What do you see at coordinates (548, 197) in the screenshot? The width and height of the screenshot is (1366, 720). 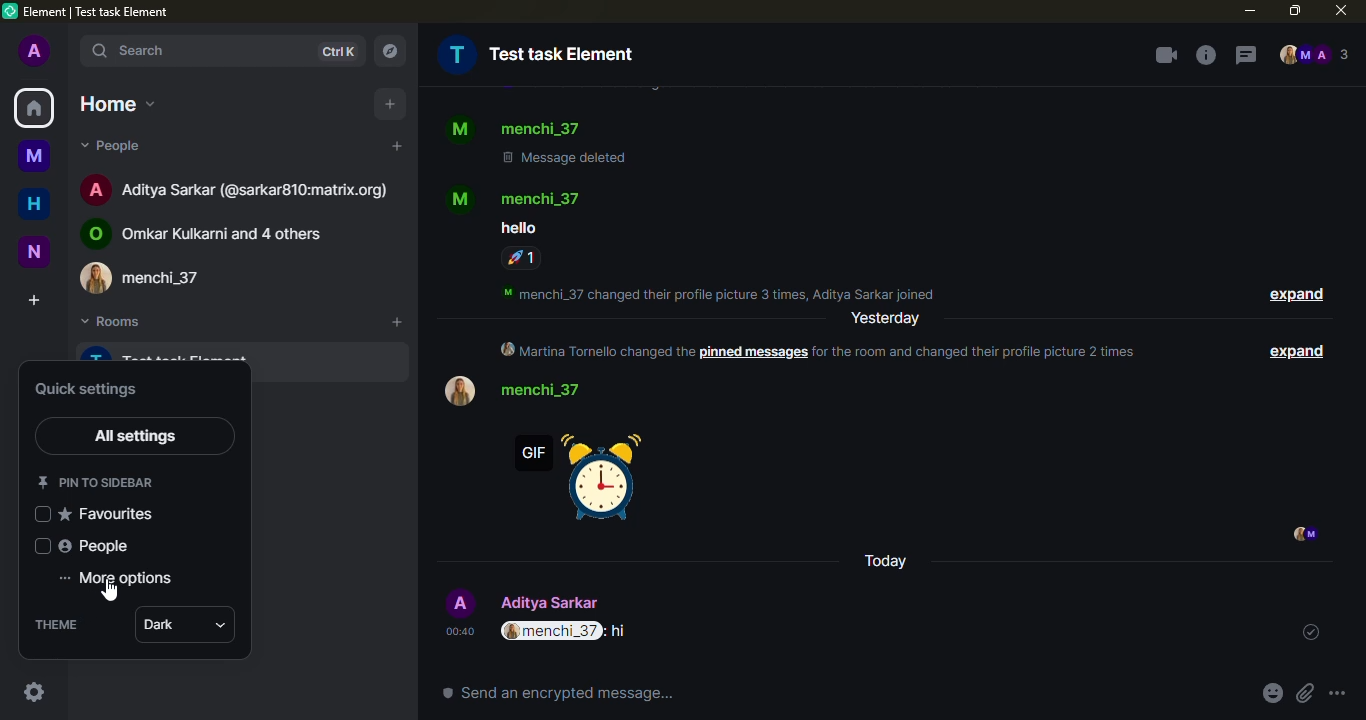 I see `contact` at bounding box center [548, 197].